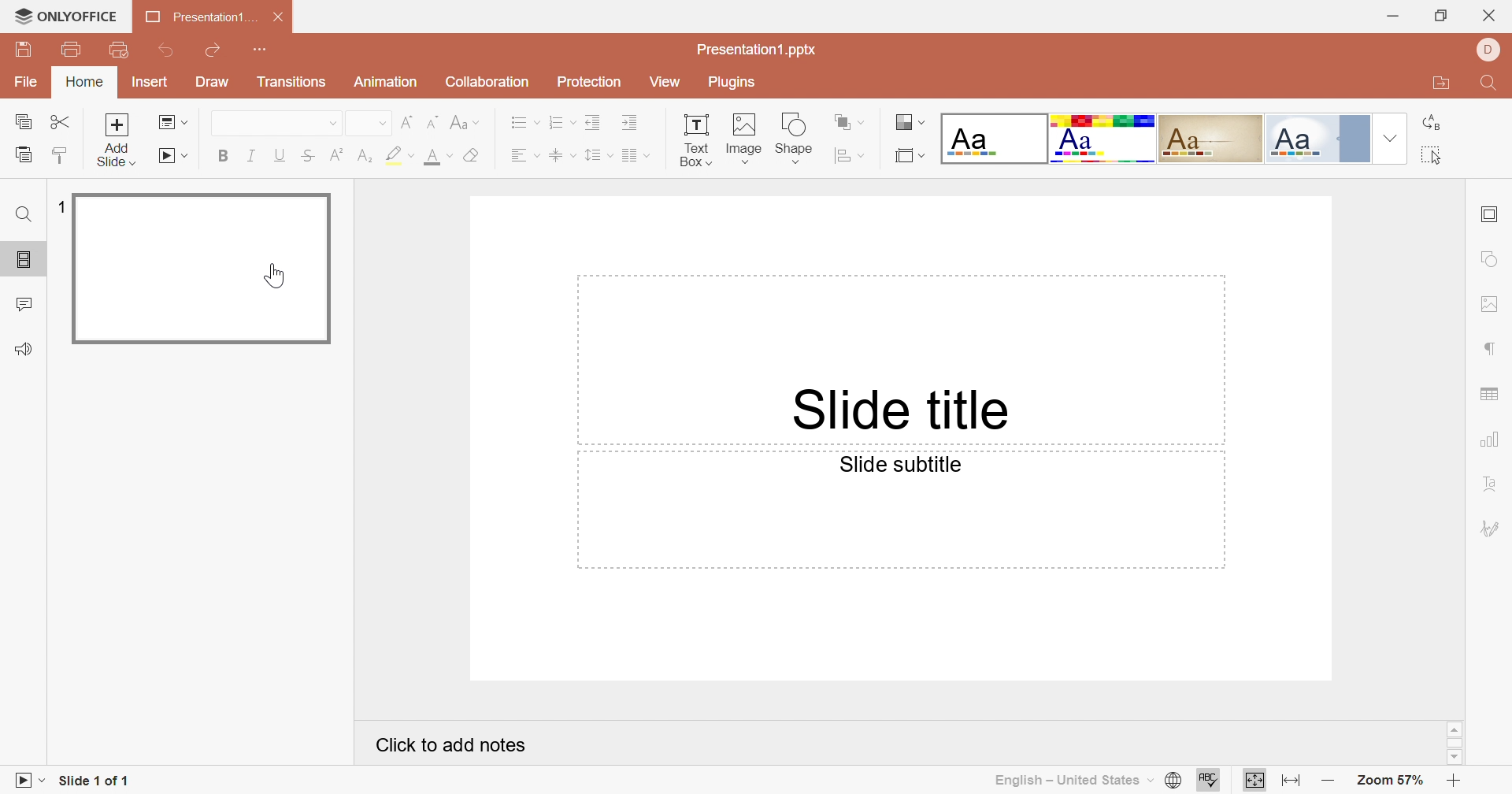 This screenshot has width=1512, height=794. I want to click on ONLYOFFICE, so click(69, 17).